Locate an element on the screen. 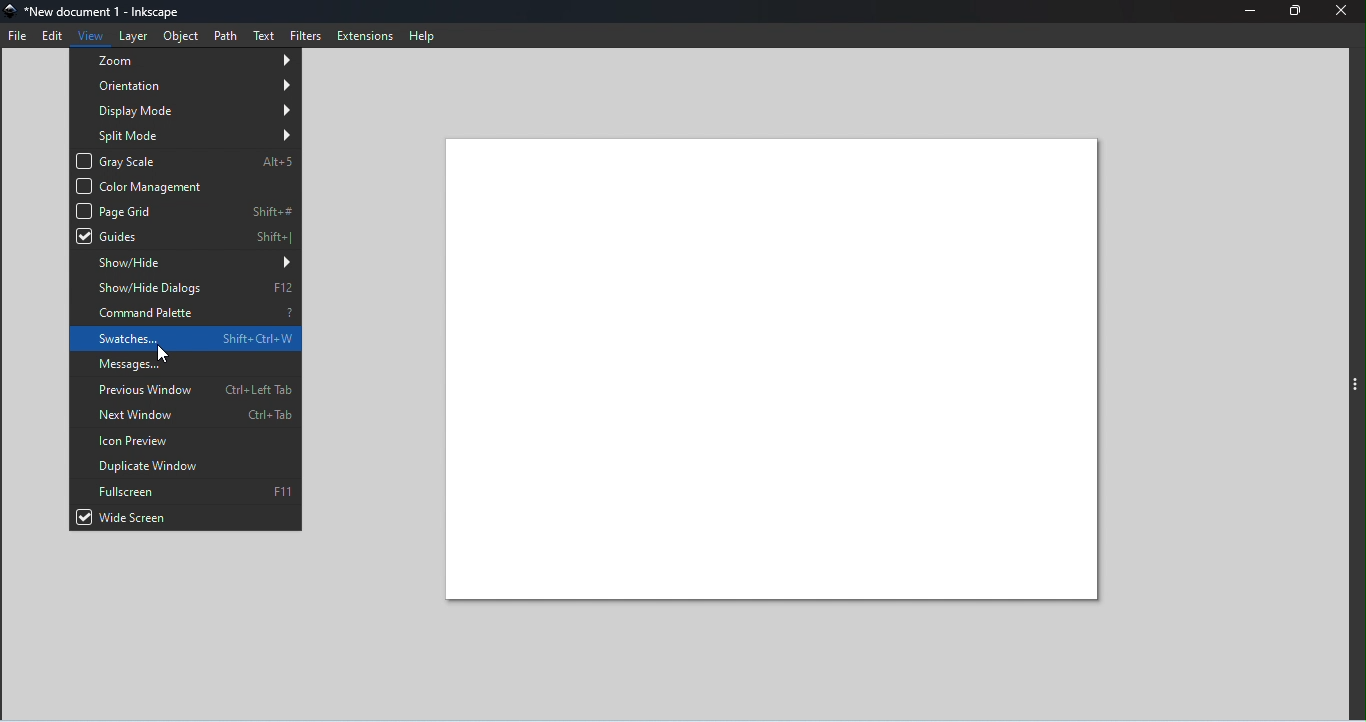 This screenshot has height=722, width=1366. Layer is located at coordinates (137, 38).